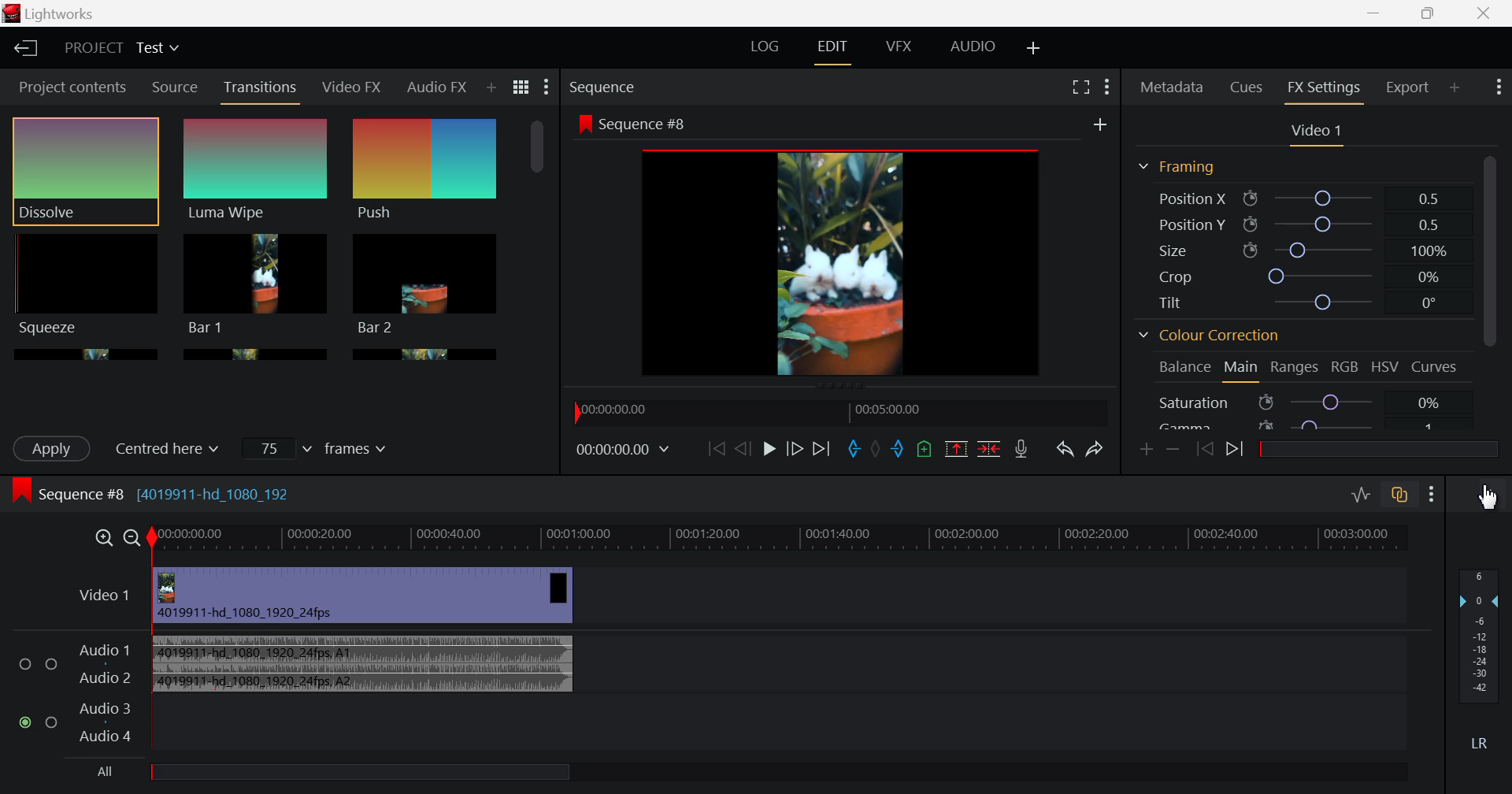  What do you see at coordinates (1399, 497) in the screenshot?
I see `toggle auto track sync` at bounding box center [1399, 497].